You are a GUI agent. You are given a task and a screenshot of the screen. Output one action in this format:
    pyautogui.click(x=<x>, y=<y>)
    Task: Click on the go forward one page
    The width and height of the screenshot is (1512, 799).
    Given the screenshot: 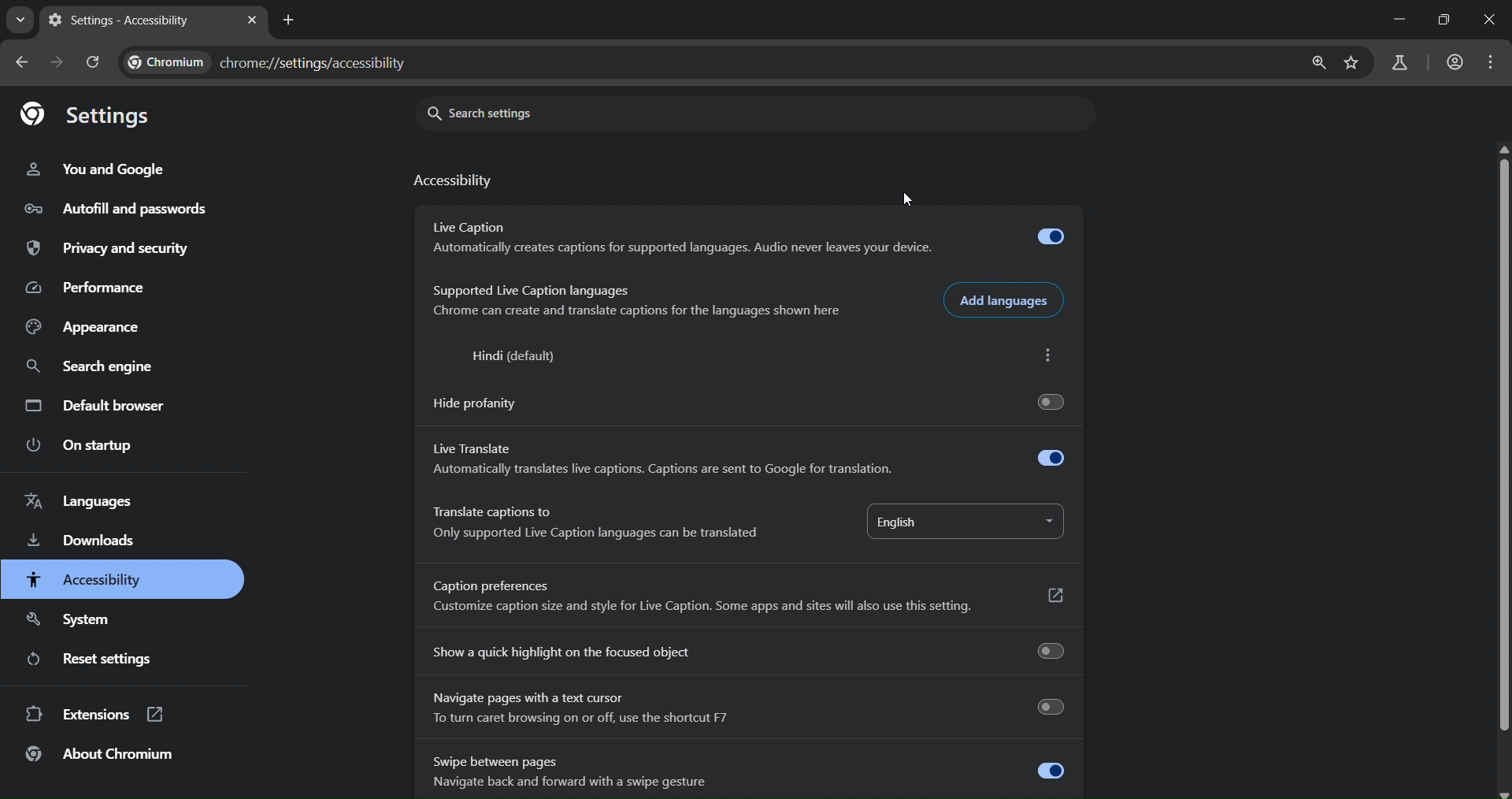 What is the action you would take?
    pyautogui.click(x=57, y=62)
    